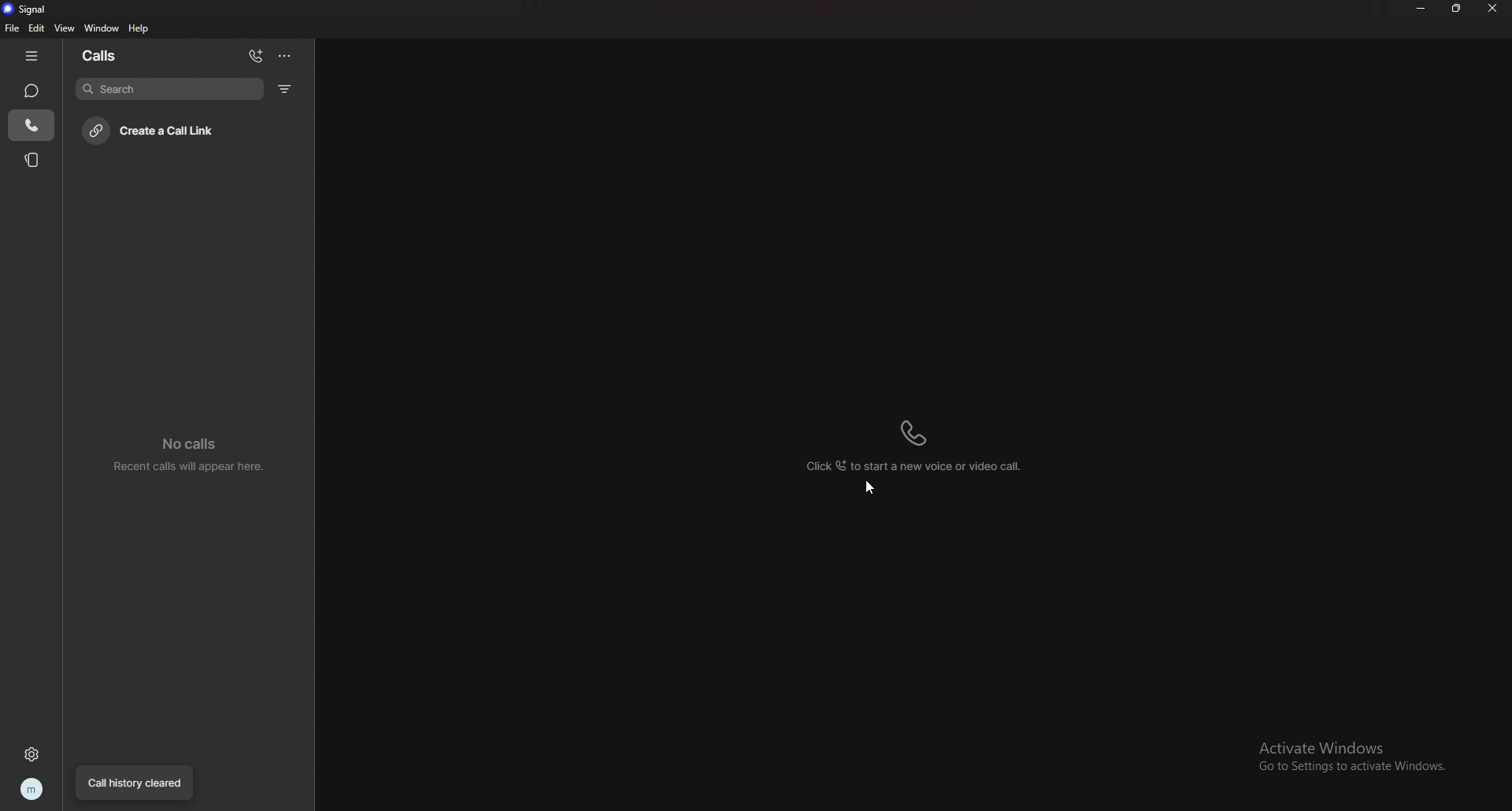 The image size is (1512, 811). What do you see at coordinates (1458, 7) in the screenshot?
I see `resize` at bounding box center [1458, 7].